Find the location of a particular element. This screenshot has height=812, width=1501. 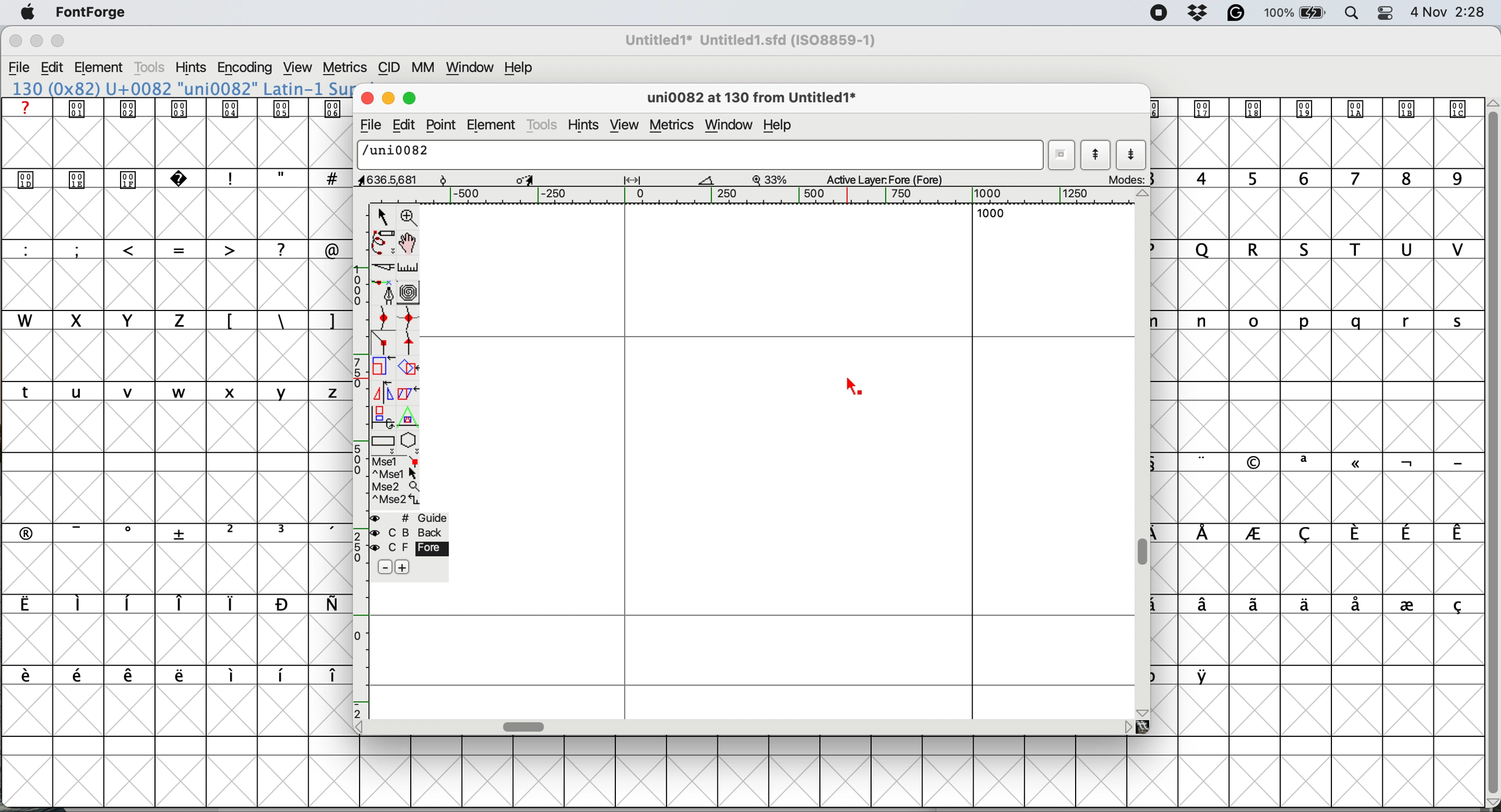

element is located at coordinates (492, 124).